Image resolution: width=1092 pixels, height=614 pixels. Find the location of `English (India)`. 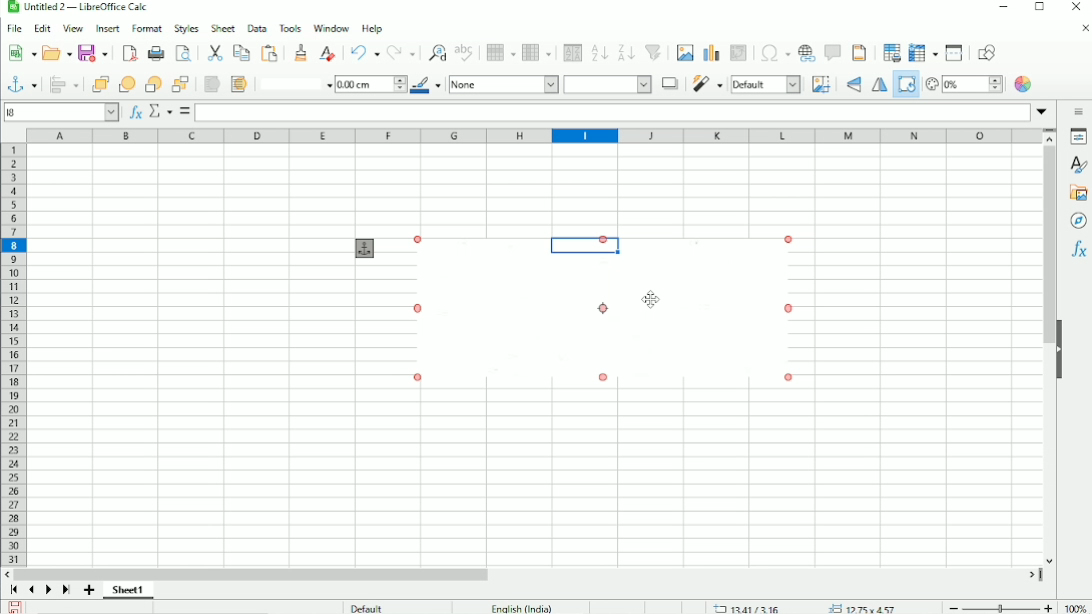

English (India) is located at coordinates (520, 607).